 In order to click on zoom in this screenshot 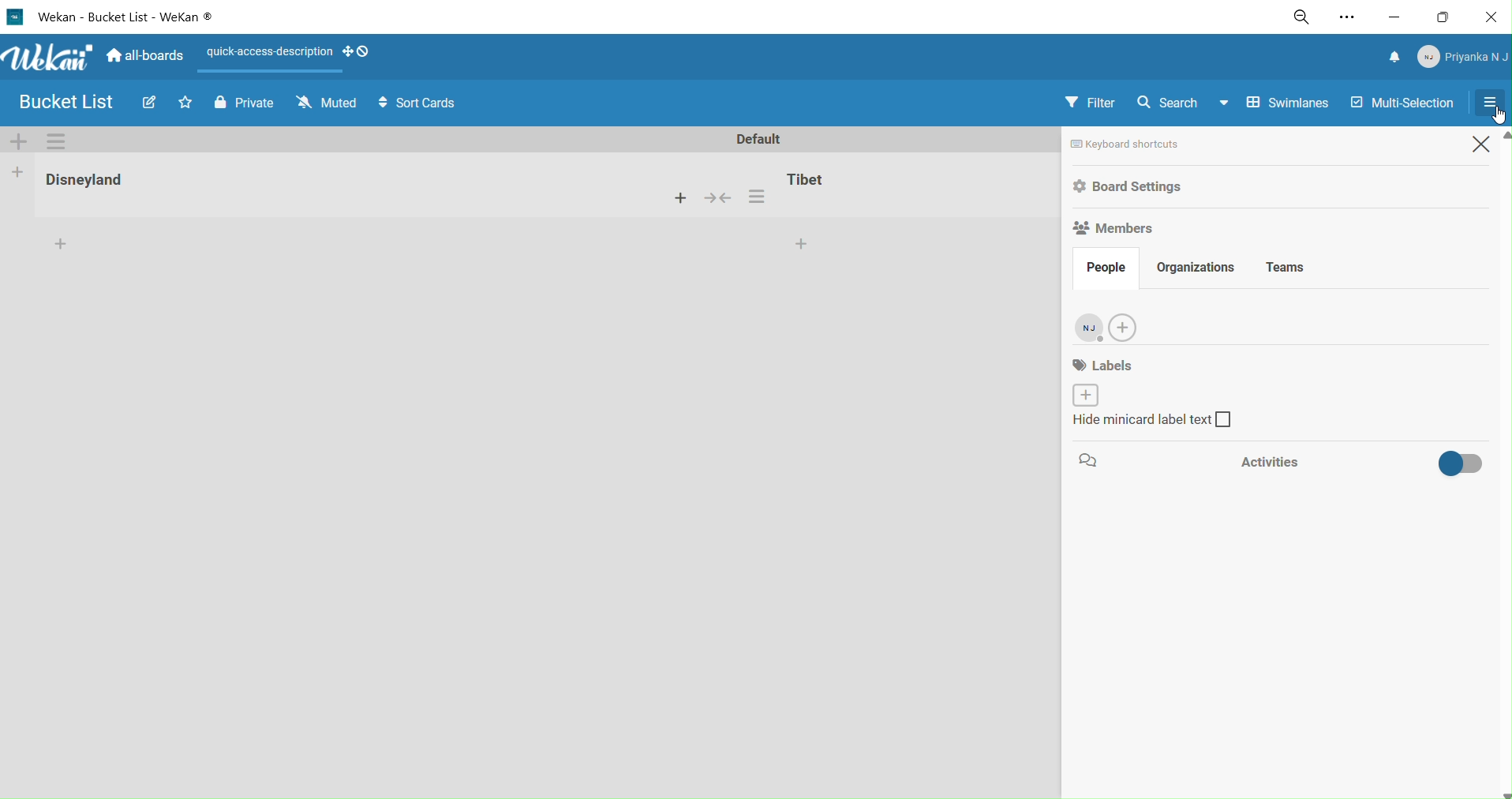, I will do `click(1303, 17)`.